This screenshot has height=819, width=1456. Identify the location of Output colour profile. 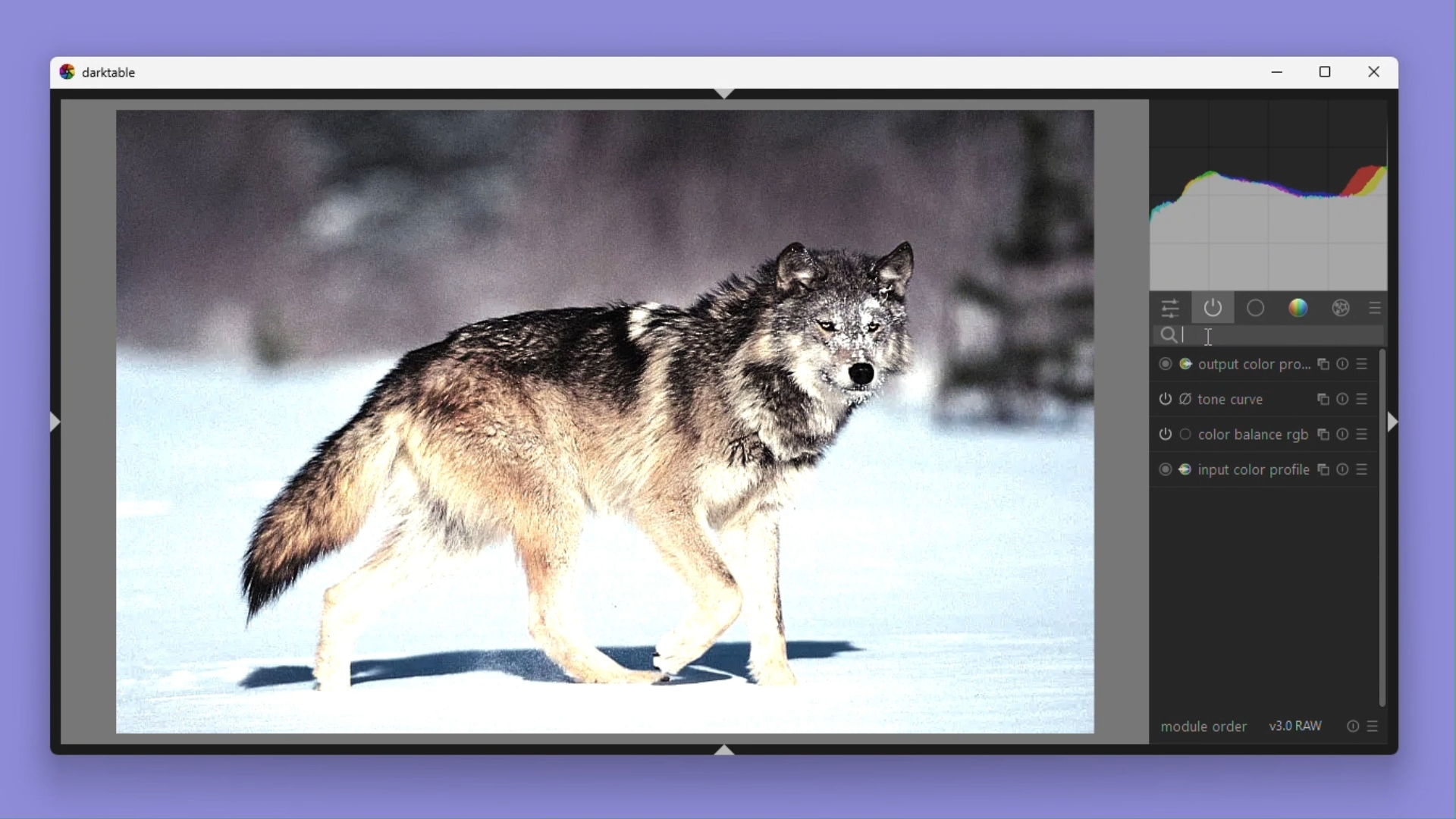
(1232, 362).